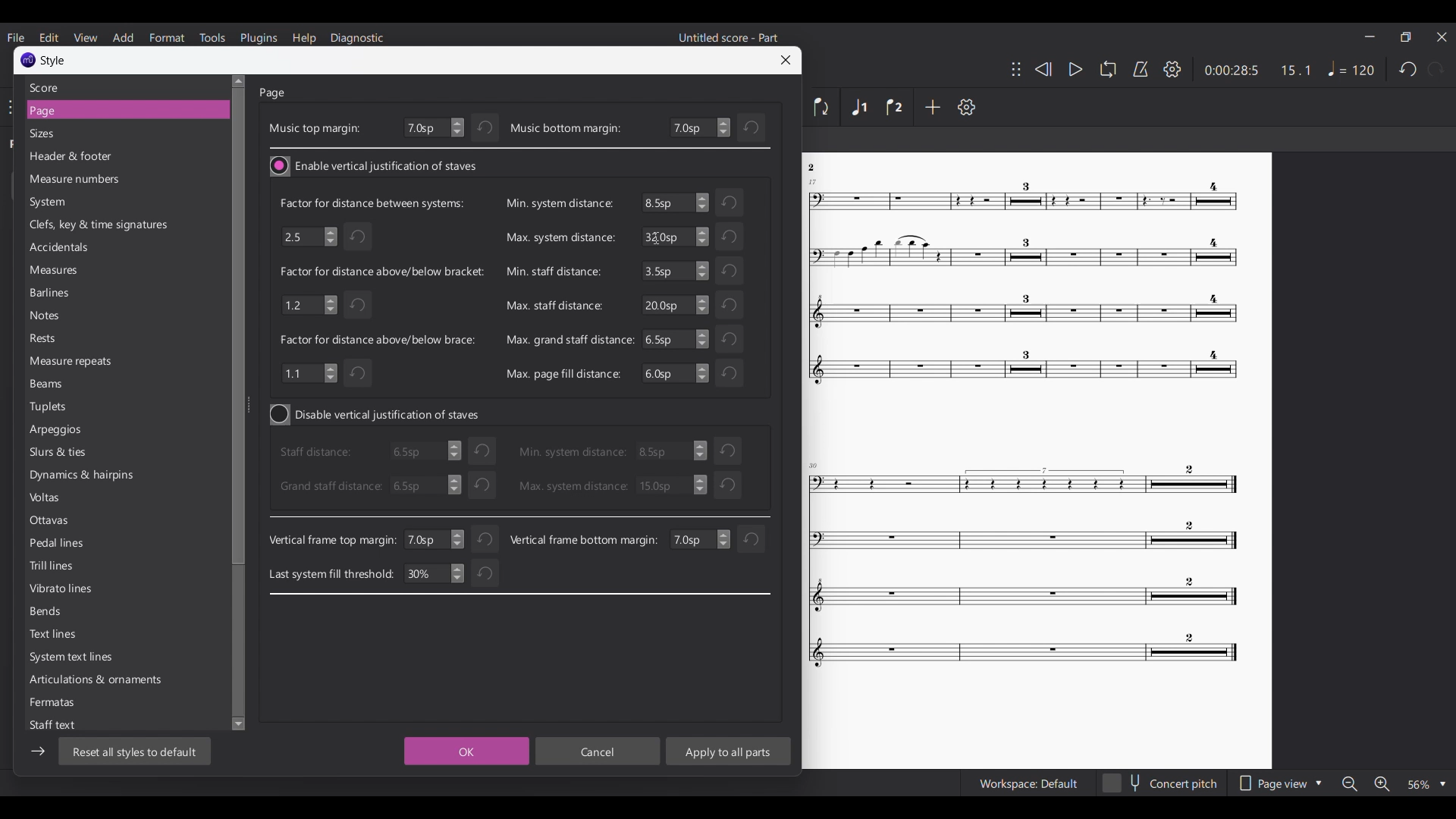  What do you see at coordinates (730, 449) in the screenshot?
I see `reset` at bounding box center [730, 449].